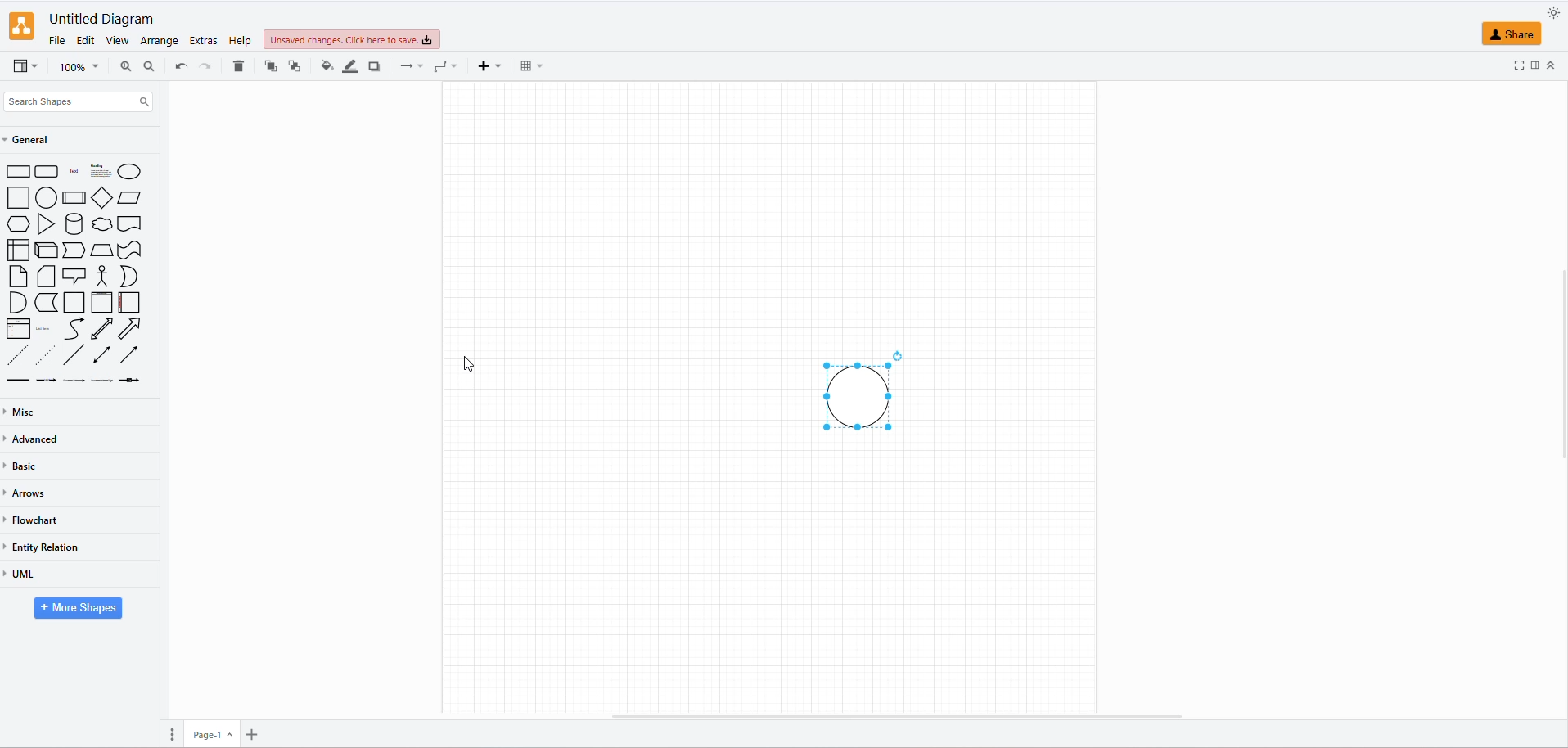  What do you see at coordinates (83, 42) in the screenshot?
I see `EDIT` at bounding box center [83, 42].